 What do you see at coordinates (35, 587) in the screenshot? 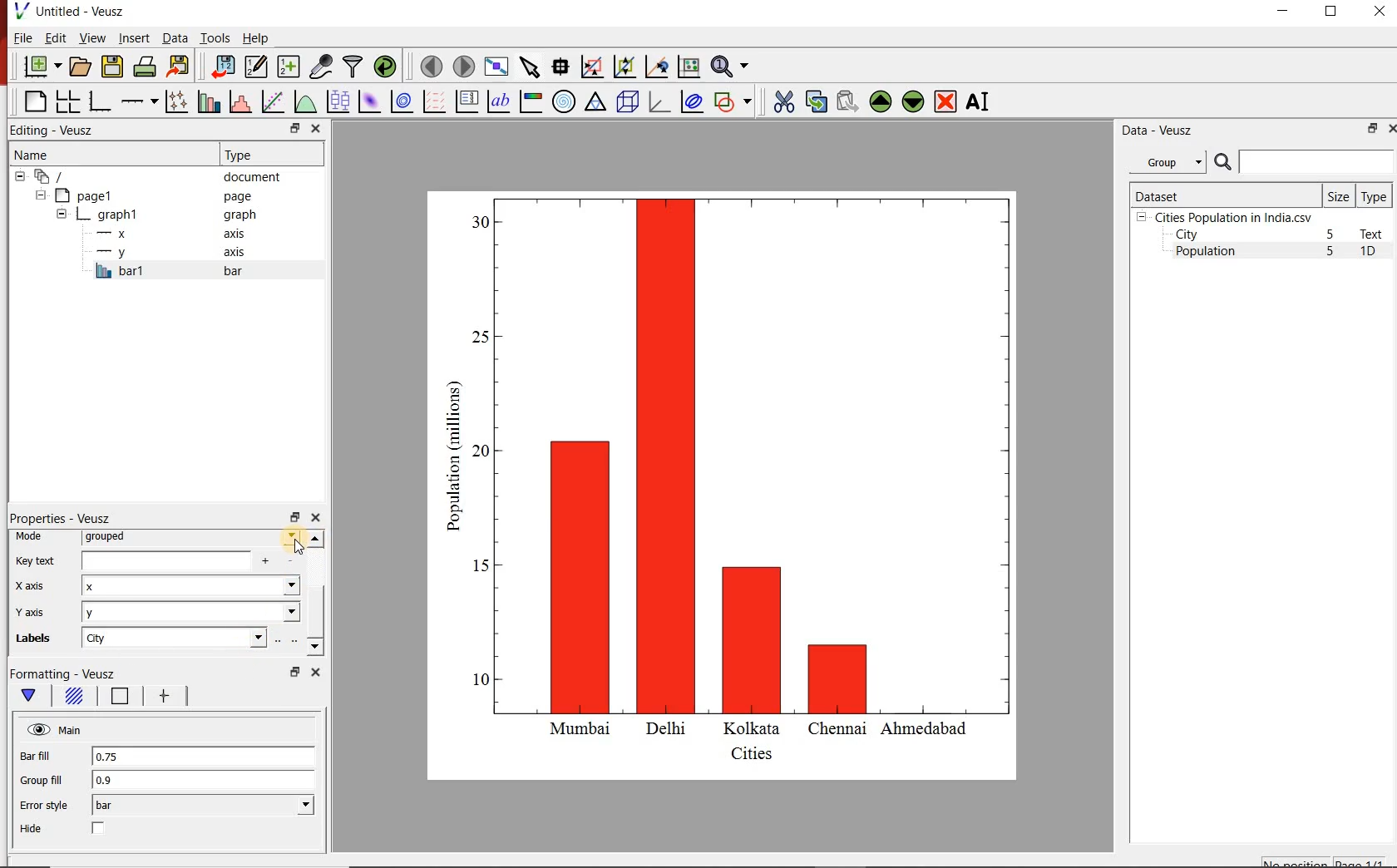
I see `x axis` at bounding box center [35, 587].